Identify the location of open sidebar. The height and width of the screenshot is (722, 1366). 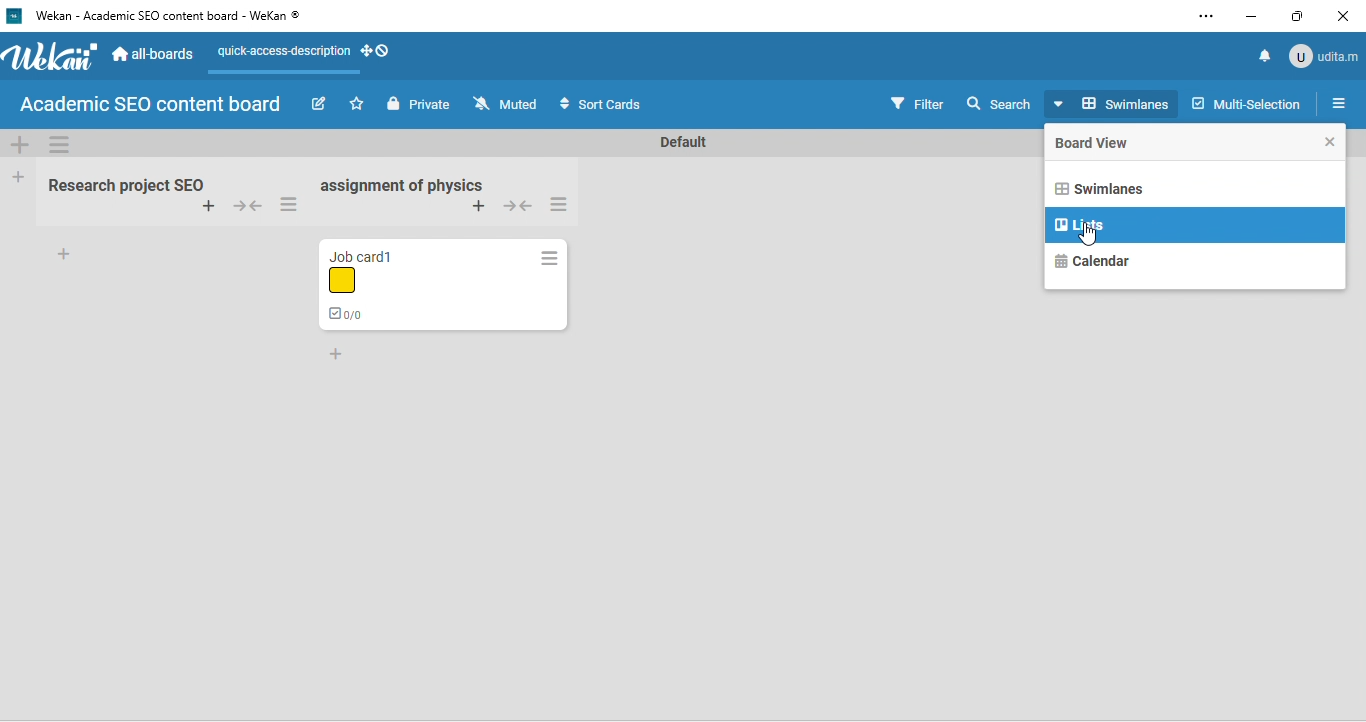
(1341, 103).